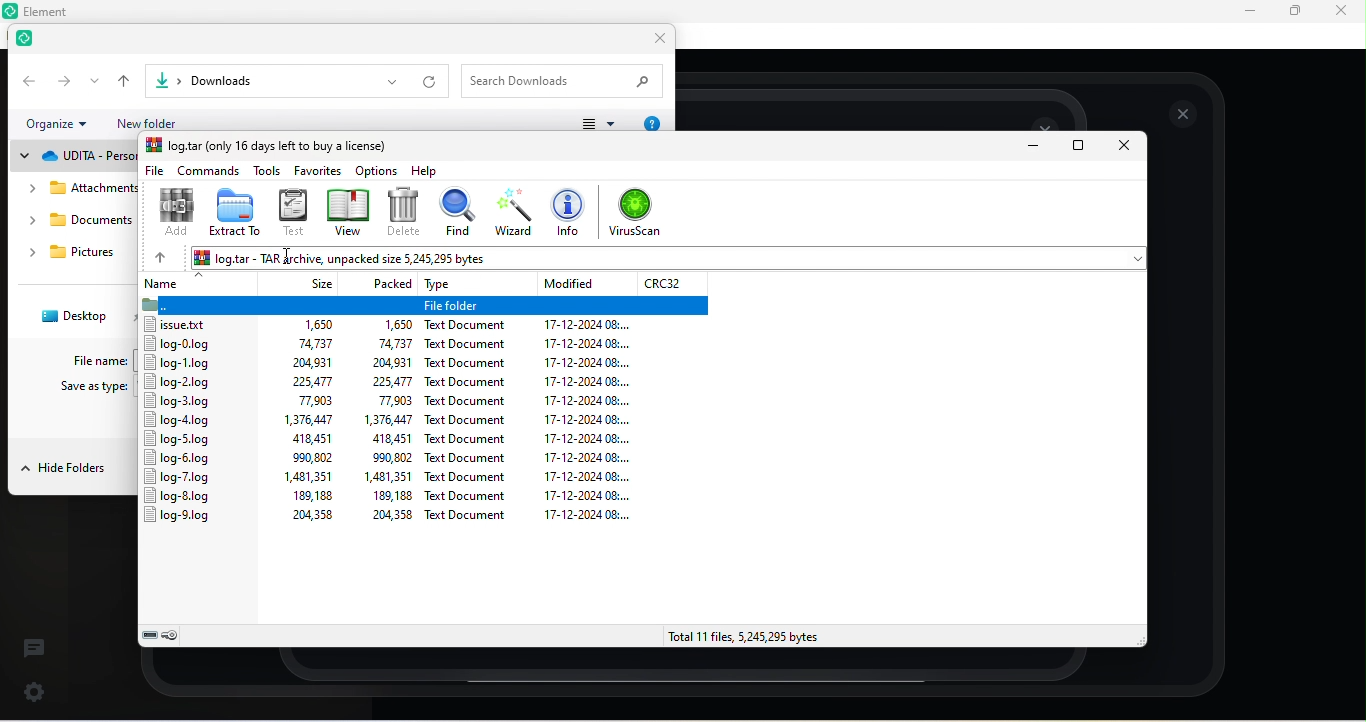 This screenshot has height=722, width=1366. Describe the element at coordinates (309, 496) in the screenshot. I see `189,188` at that location.